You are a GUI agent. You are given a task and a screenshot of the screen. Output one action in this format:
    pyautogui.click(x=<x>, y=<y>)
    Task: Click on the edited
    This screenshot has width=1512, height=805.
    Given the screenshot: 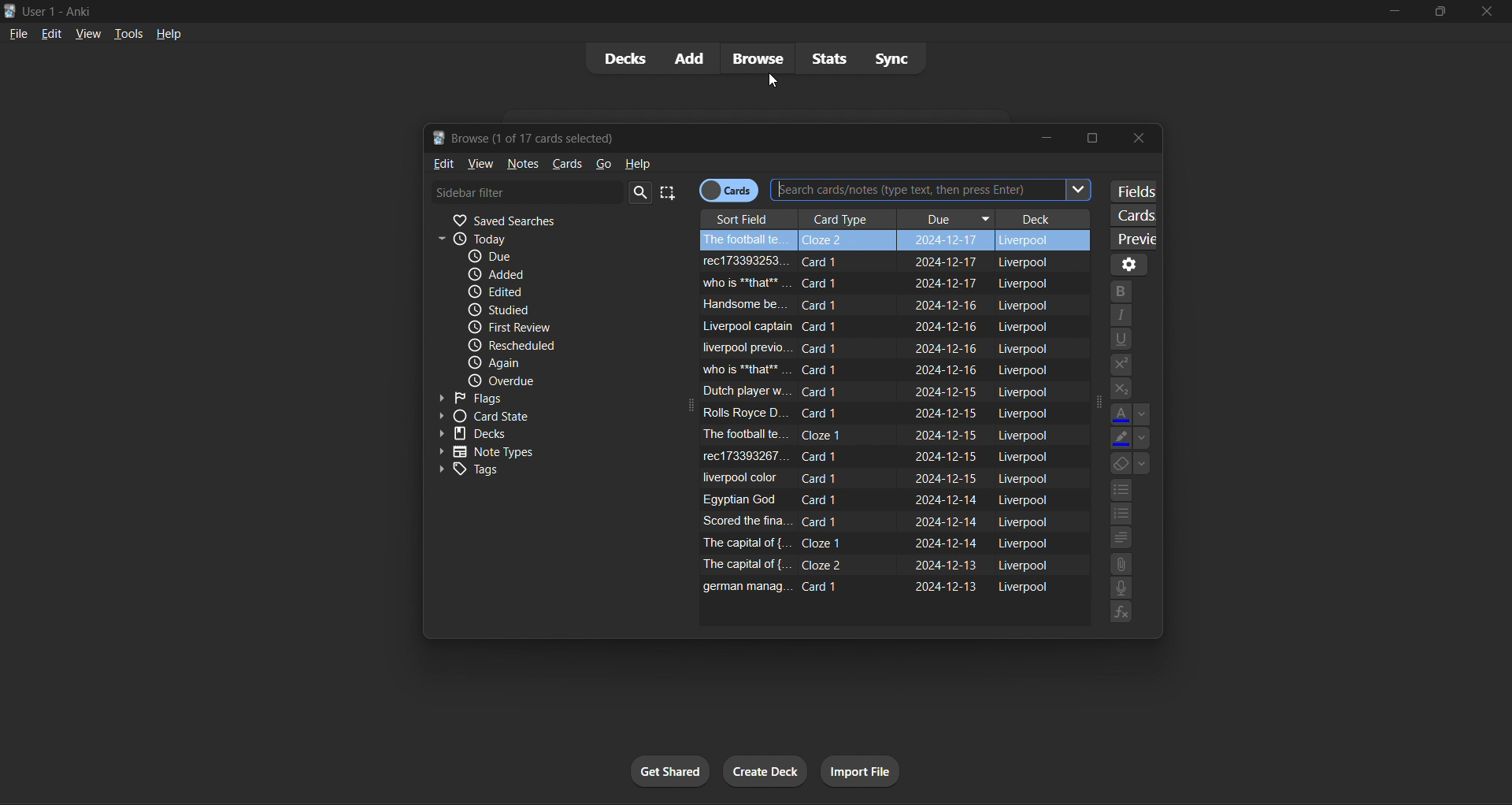 What is the action you would take?
    pyautogui.click(x=547, y=291)
    